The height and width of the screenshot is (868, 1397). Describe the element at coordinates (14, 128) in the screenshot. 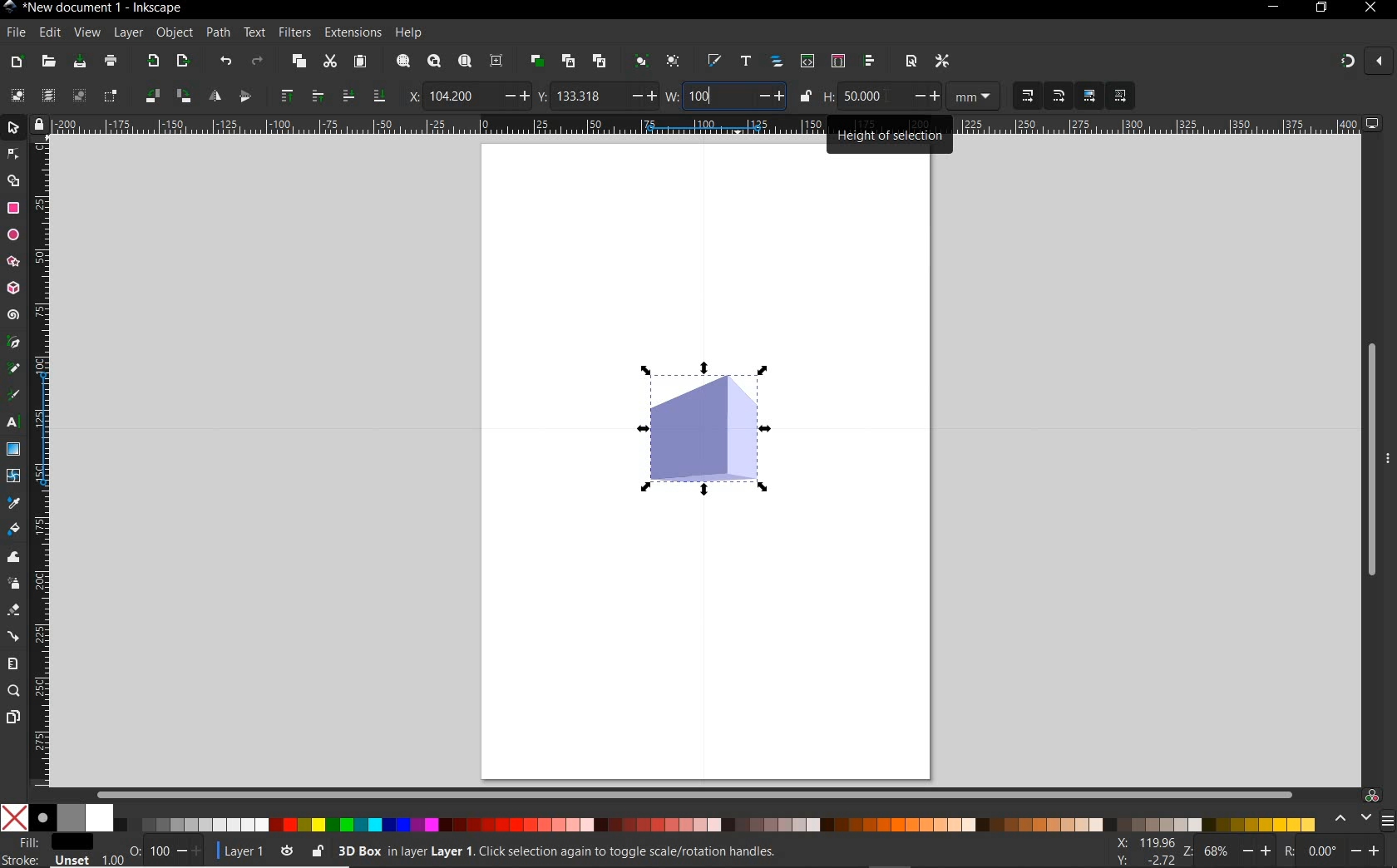

I see `selector tool` at that location.